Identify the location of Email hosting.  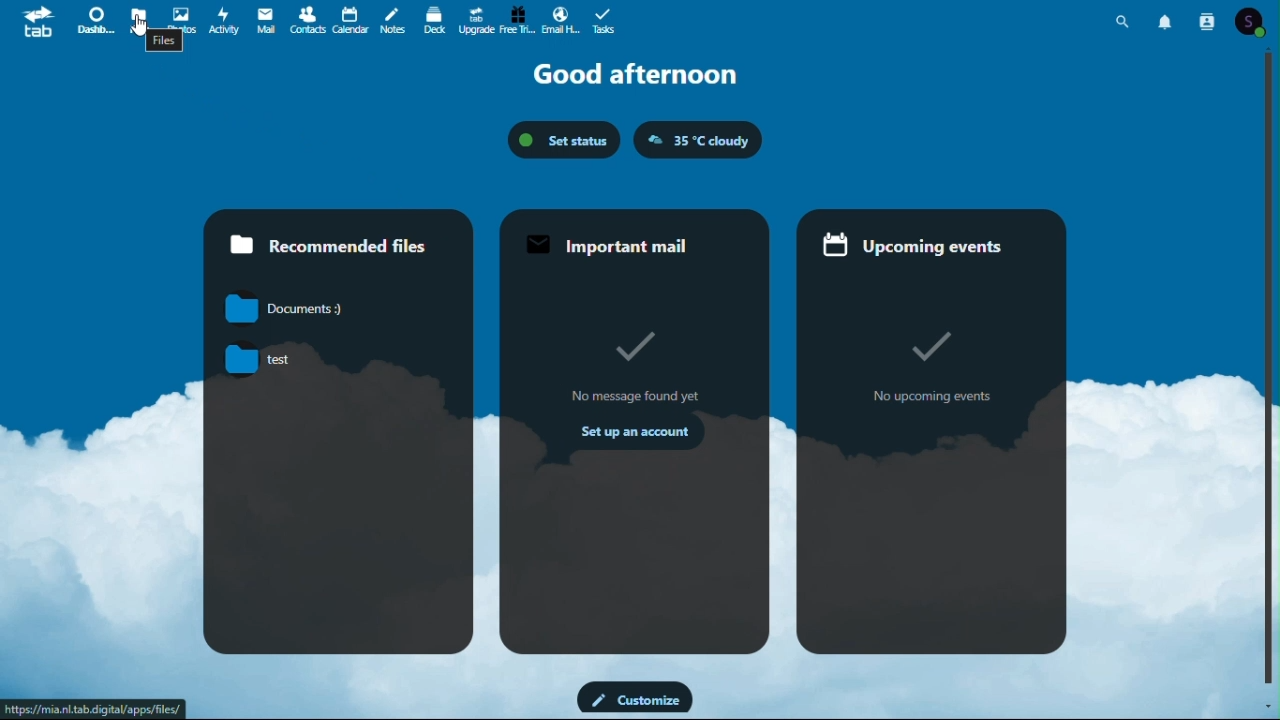
(559, 20).